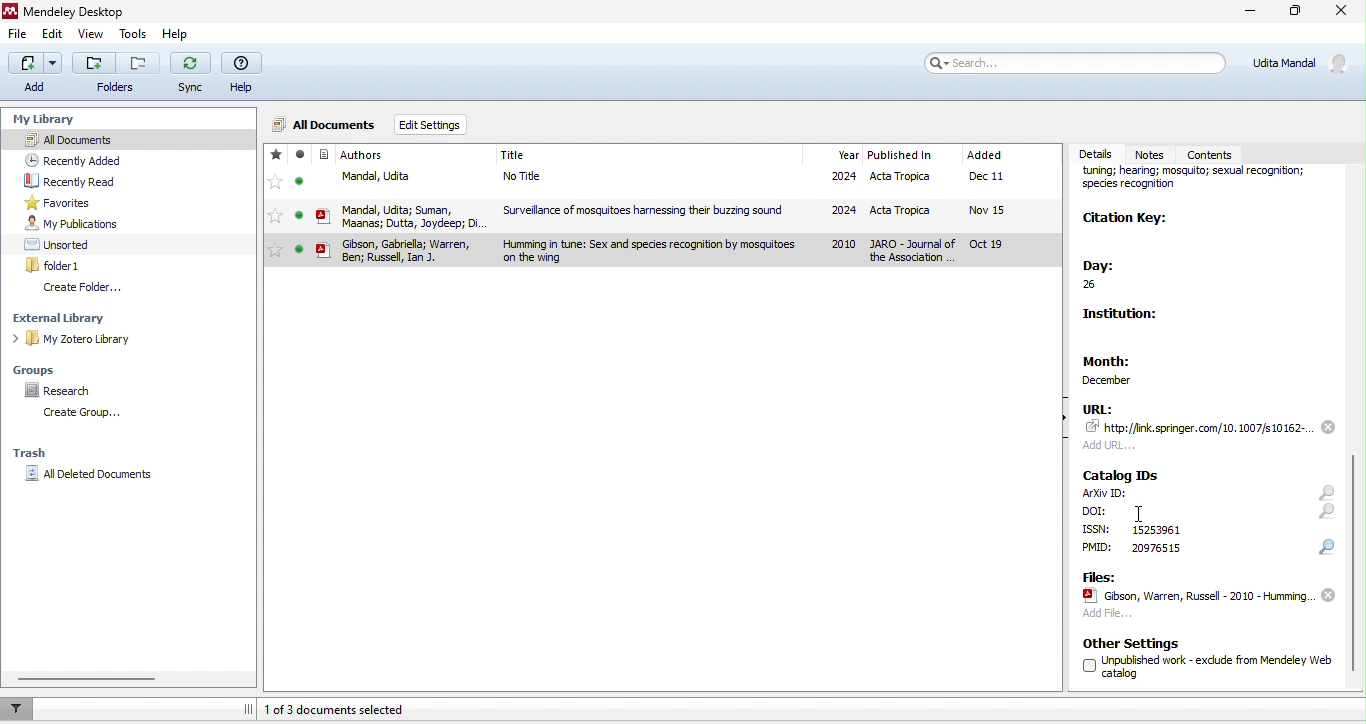  I want to click on text, so click(1156, 529).